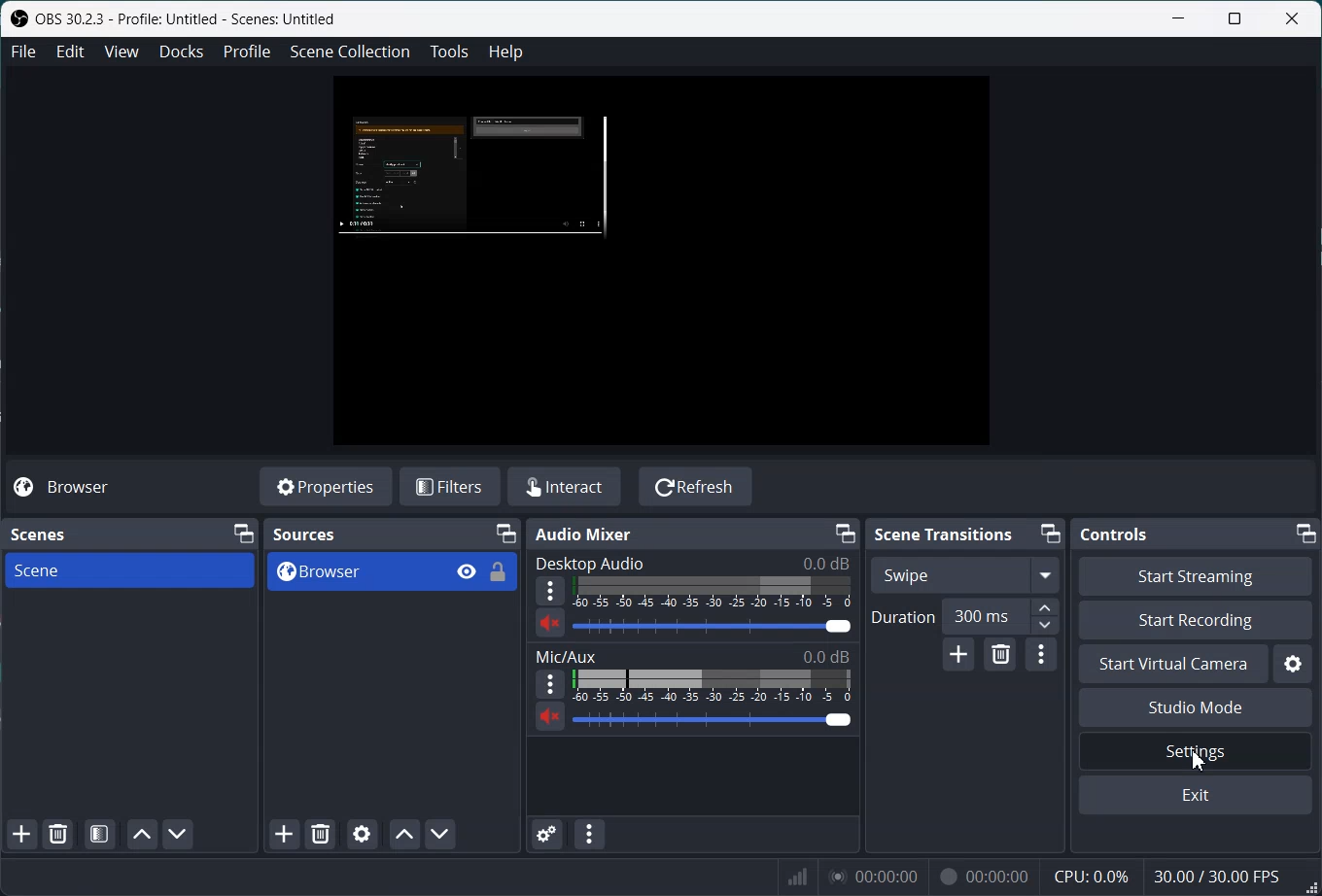 The width and height of the screenshot is (1322, 896). What do you see at coordinates (713, 685) in the screenshot?
I see `Volume Indicator` at bounding box center [713, 685].